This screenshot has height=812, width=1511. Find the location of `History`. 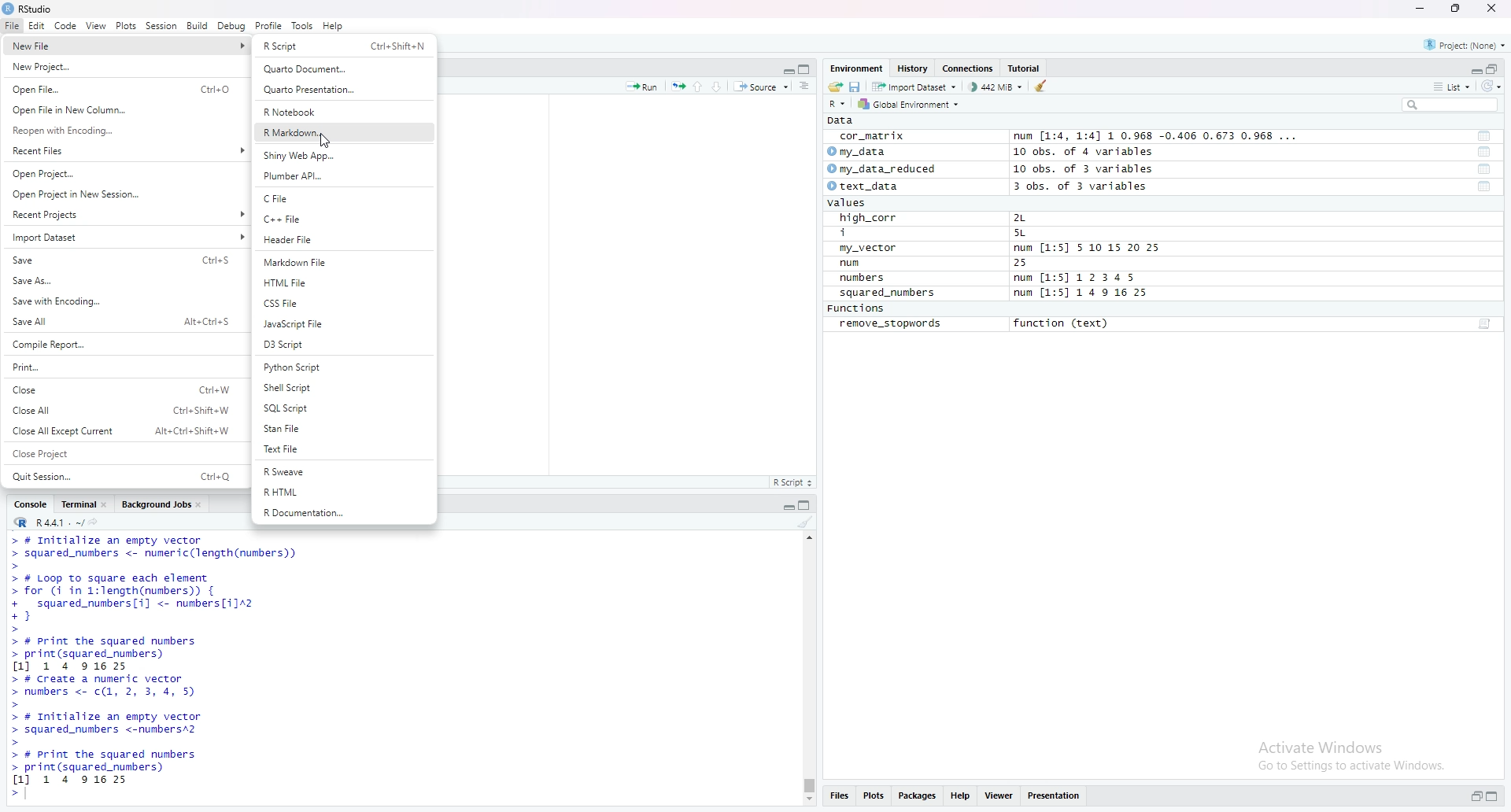

History is located at coordinates (914, 68).